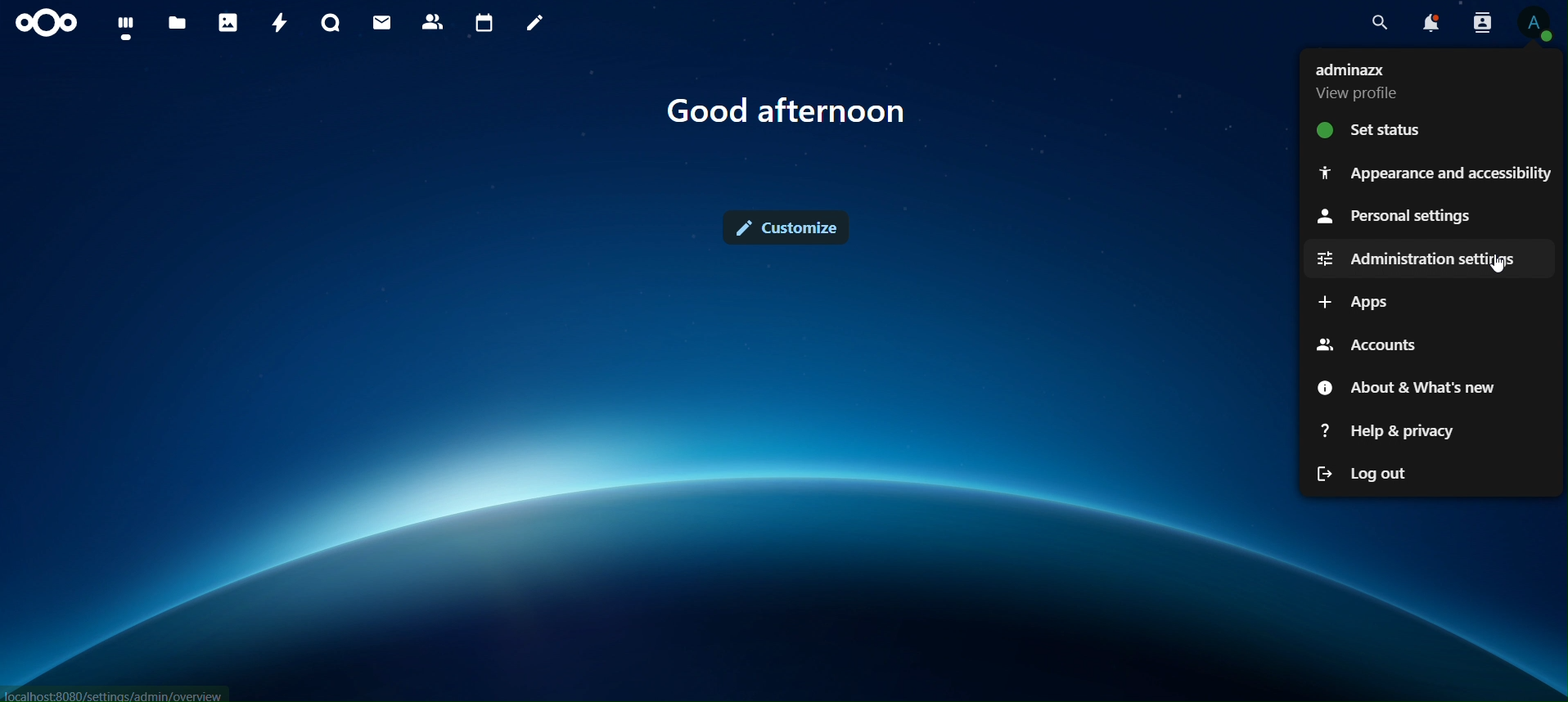 The height and width of the screenshot is (702, 1568). Describe the element at coordinates (1351, 301) in the screenshot. I see `apps` at that location.